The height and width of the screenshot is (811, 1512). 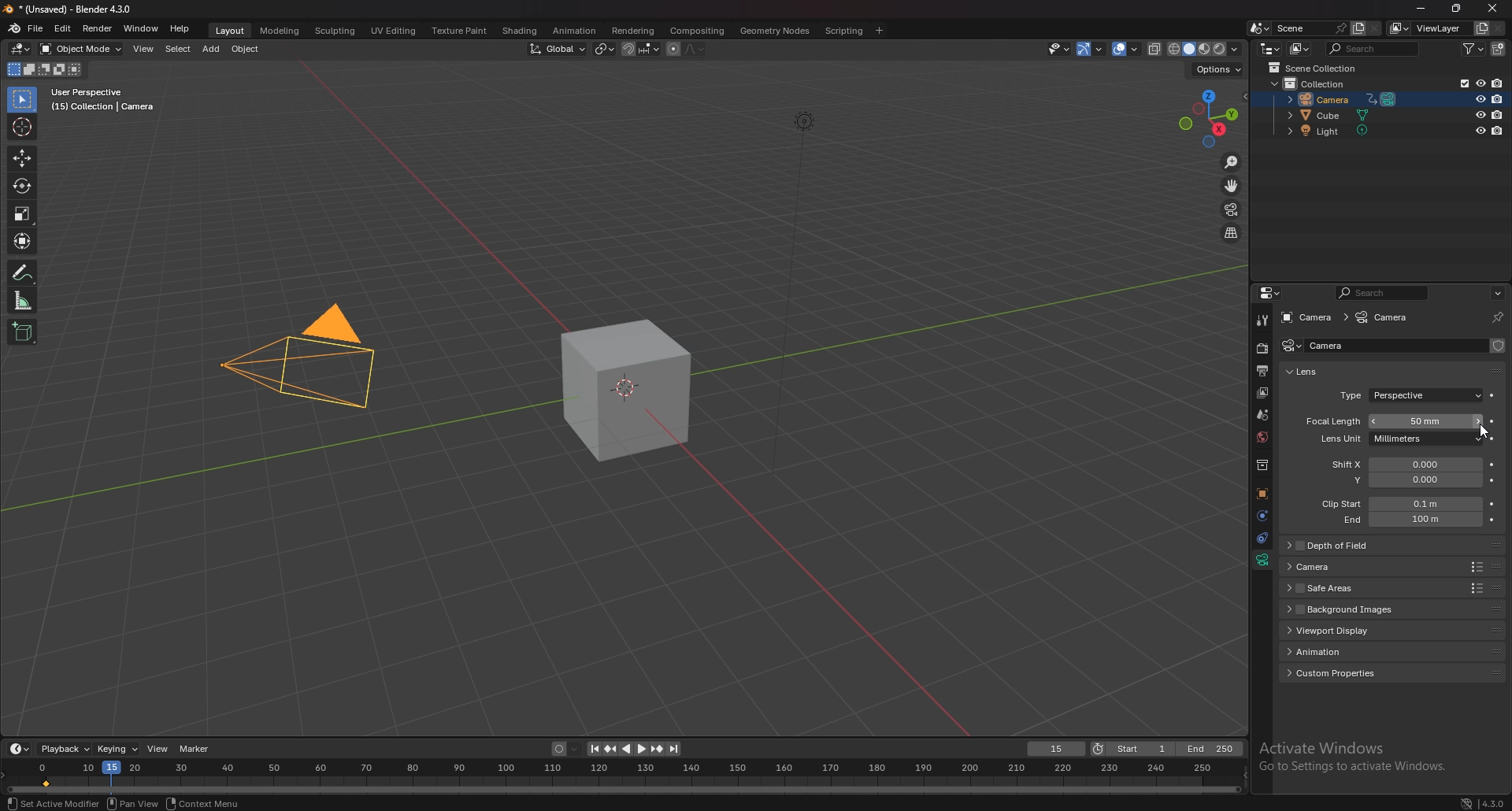 I want to click on measure, so click(x=24, y=299).